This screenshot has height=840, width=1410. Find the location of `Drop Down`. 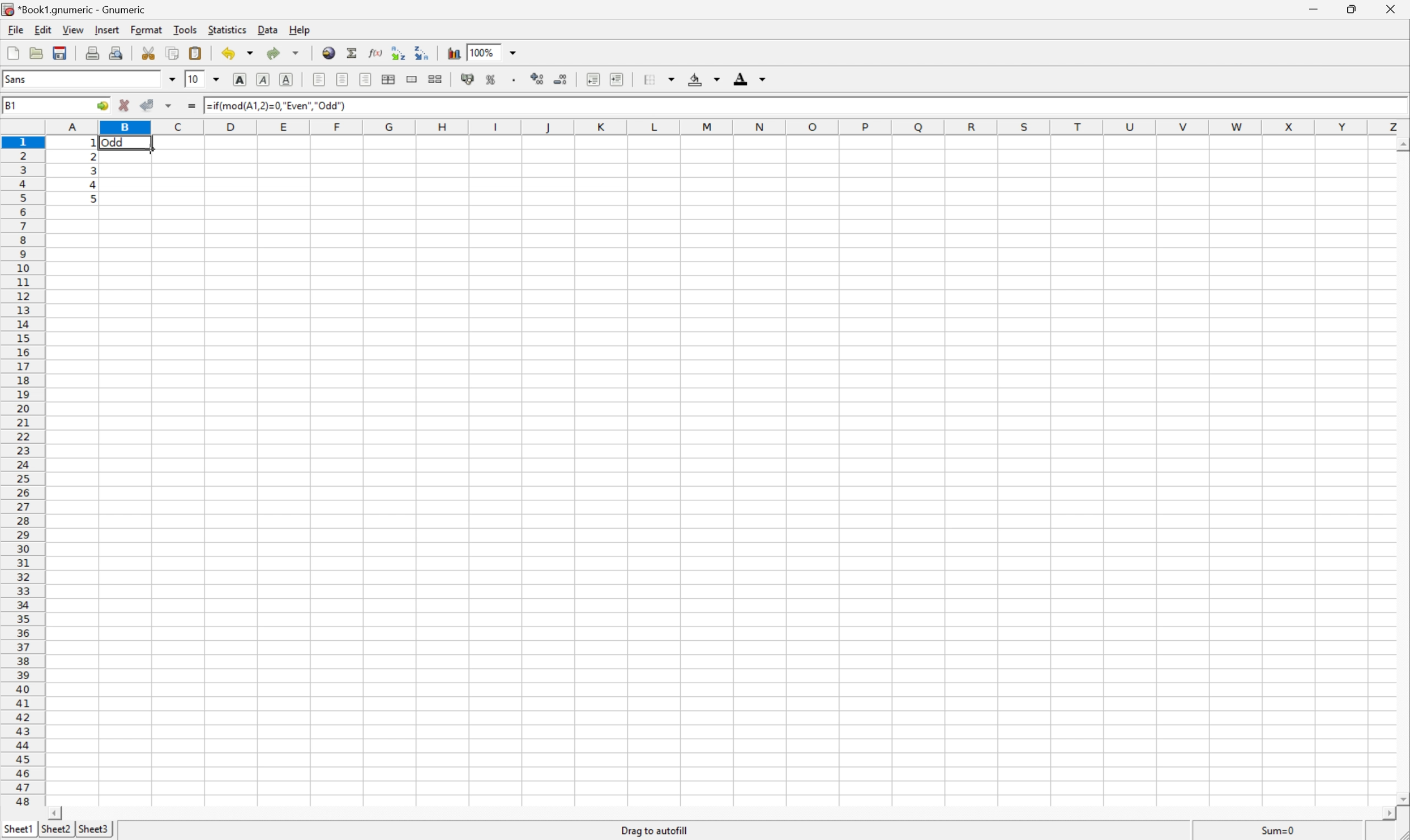

Drop Down is located at coordinates (216, 79).